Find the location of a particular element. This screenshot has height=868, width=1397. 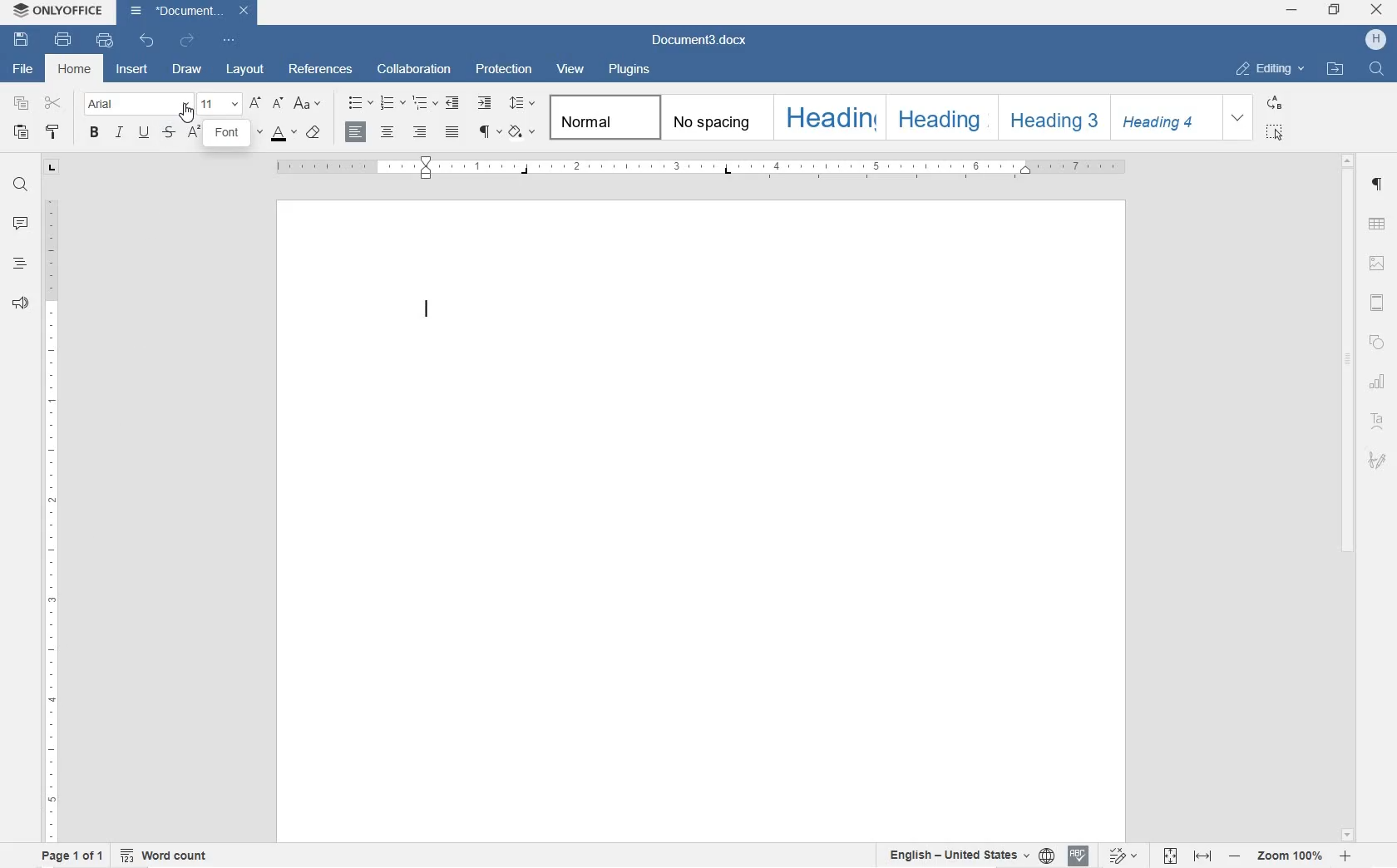

ALIGN RIGHT is located at coordinates (420, 131).